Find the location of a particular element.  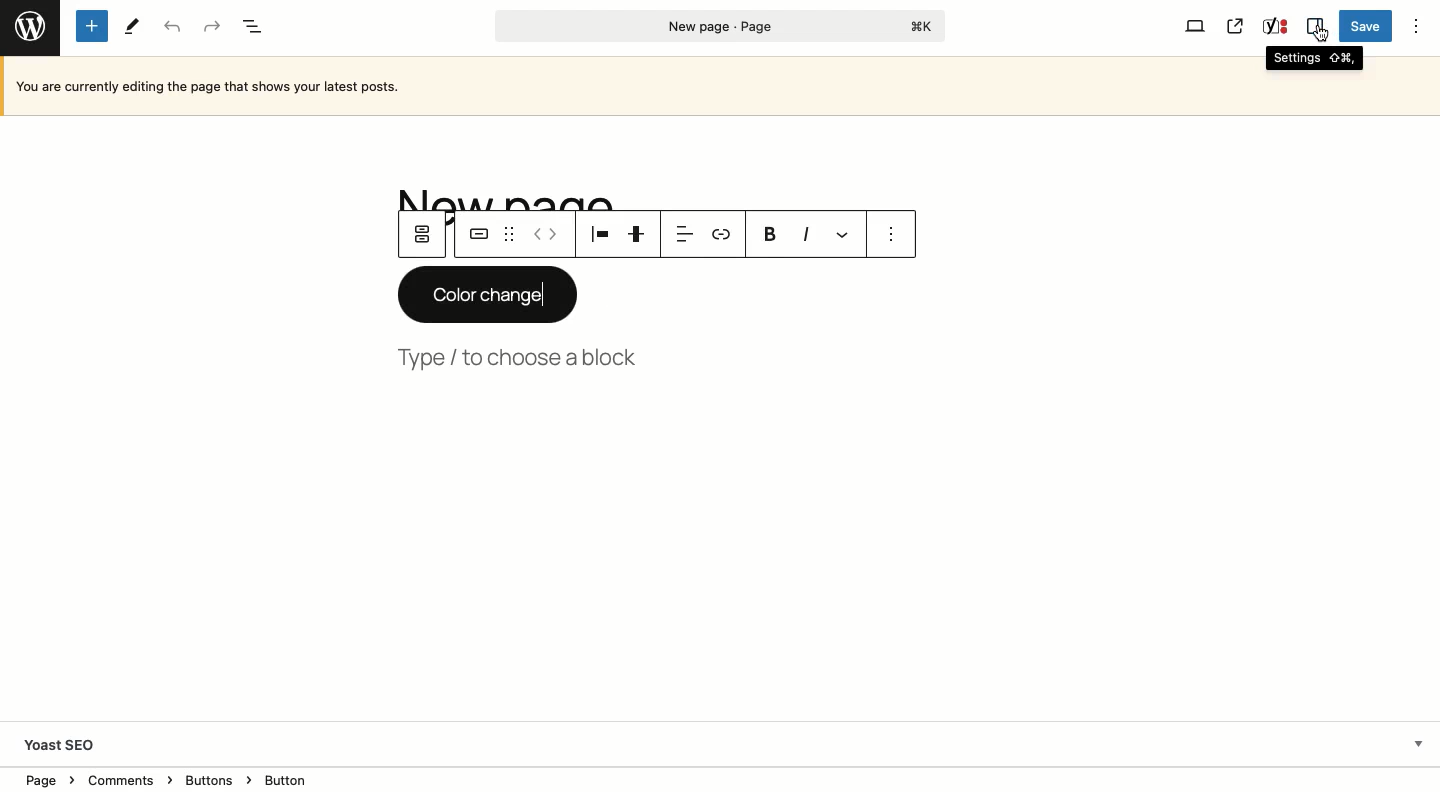

Parent button is located at coordinates (422, 234).